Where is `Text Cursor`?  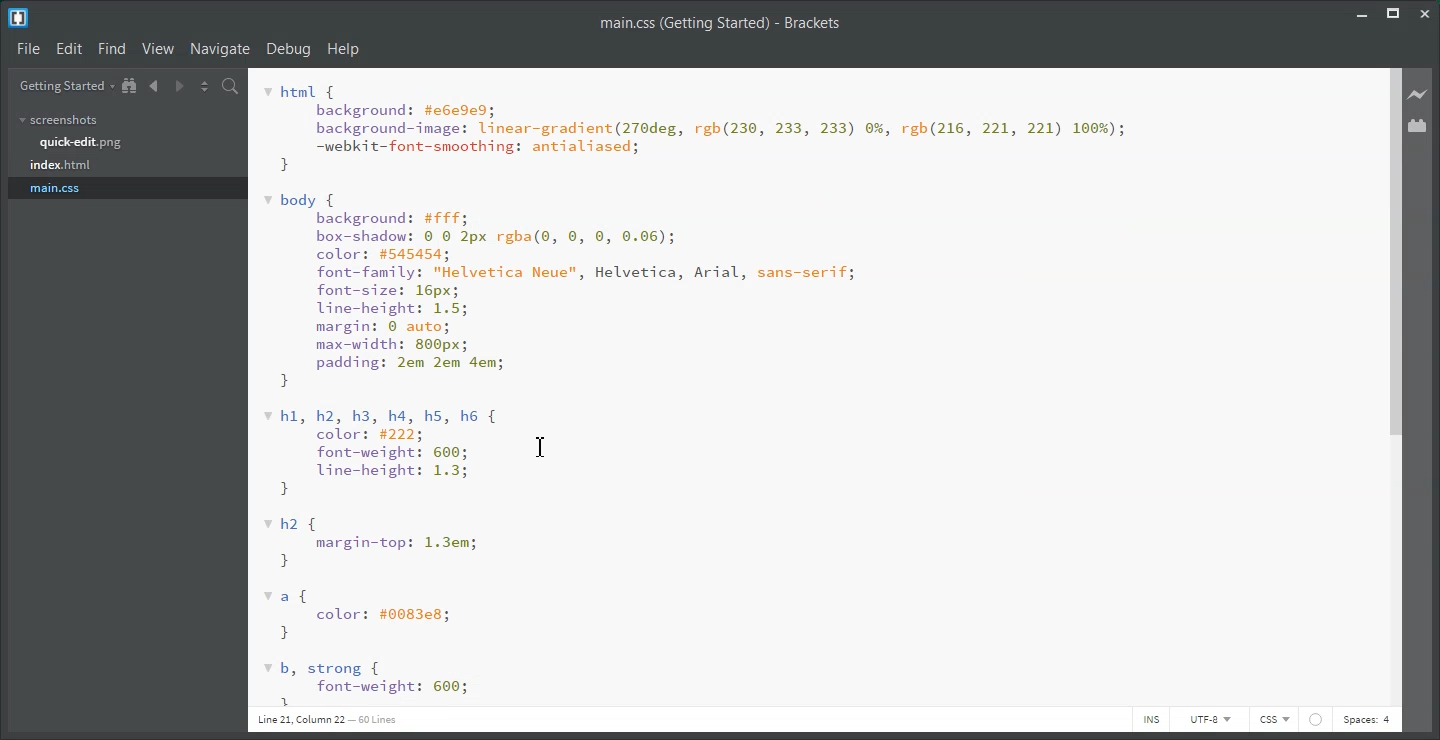 Text Cursor is located at coordinates (543, 446).